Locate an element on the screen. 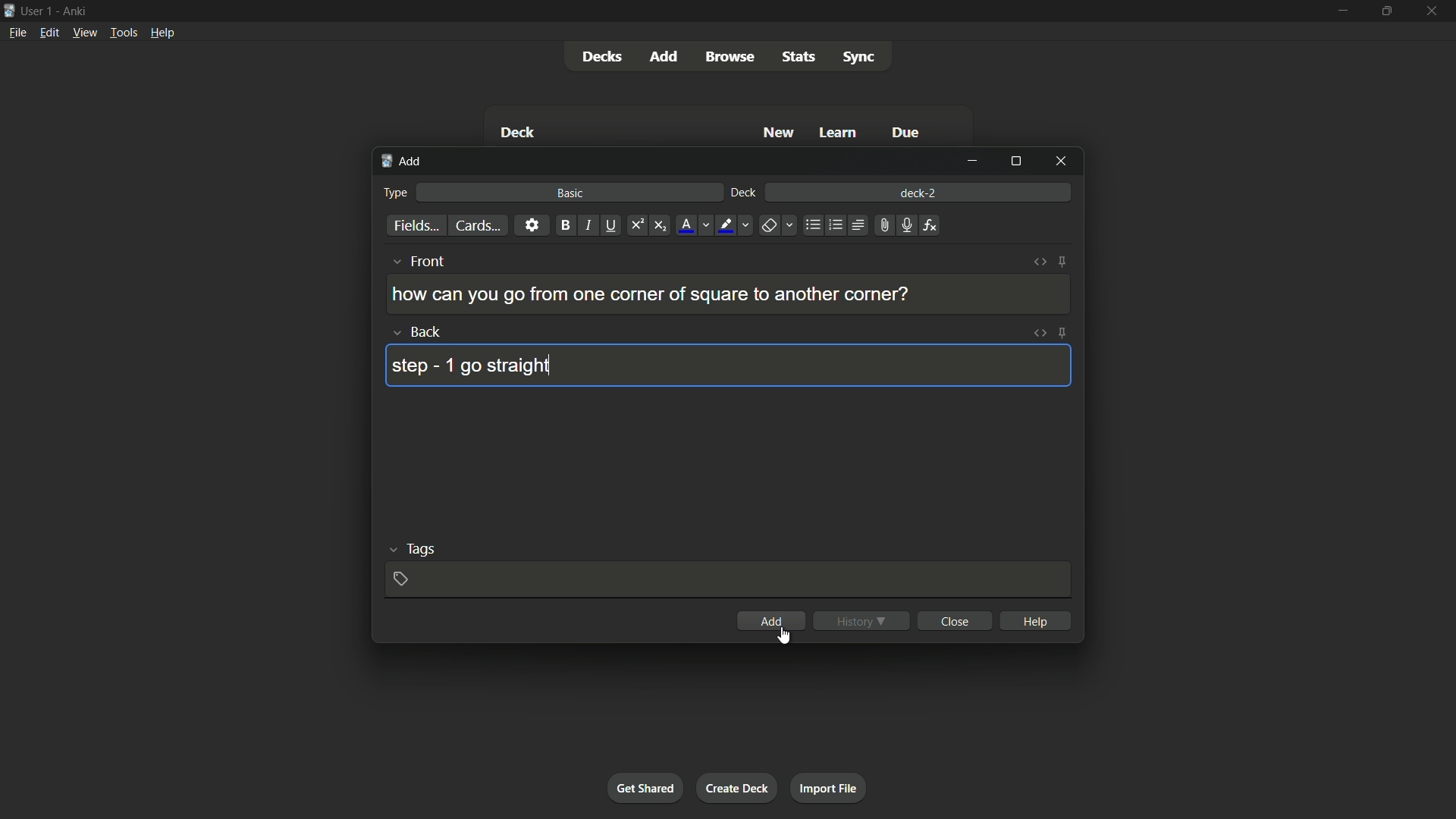 The width and height of the screenshot is (1456, 819). new is located at coordinates (779, 133).